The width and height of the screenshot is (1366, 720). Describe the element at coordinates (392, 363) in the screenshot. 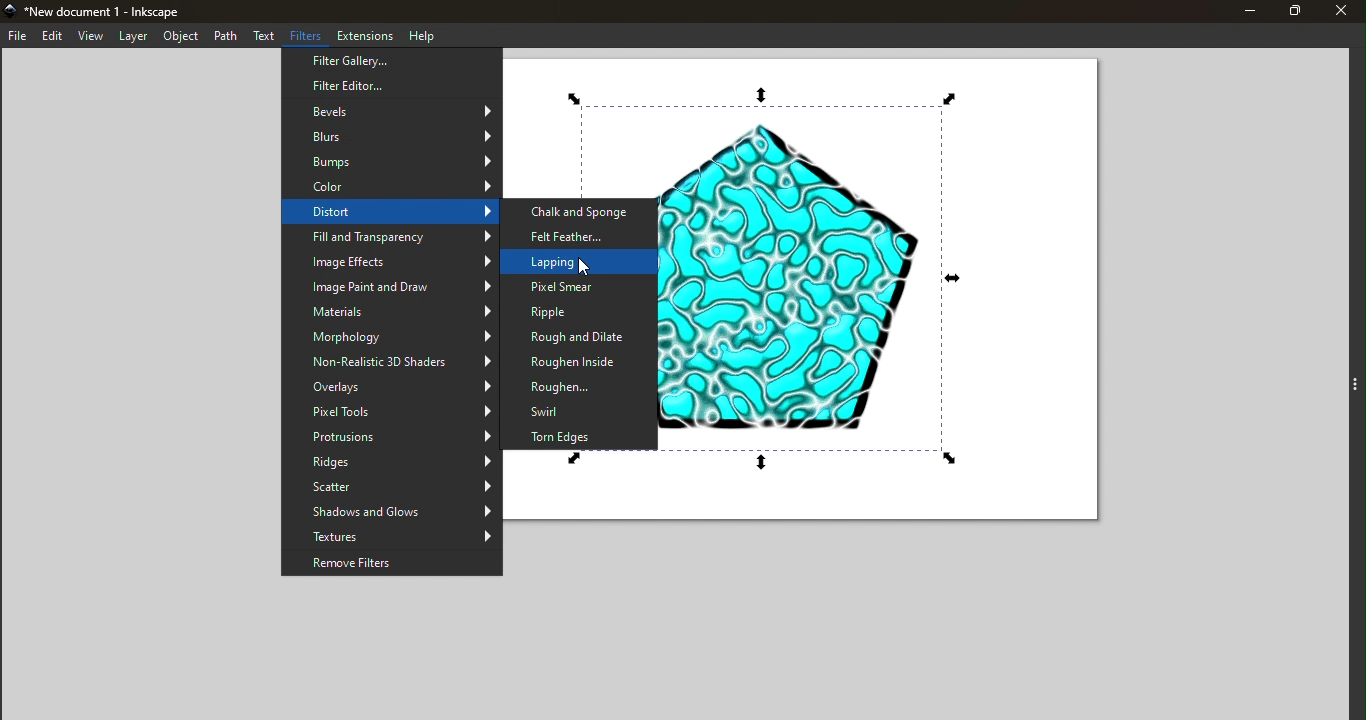

I see `Non-Realistic 3D Shaders` at that location.